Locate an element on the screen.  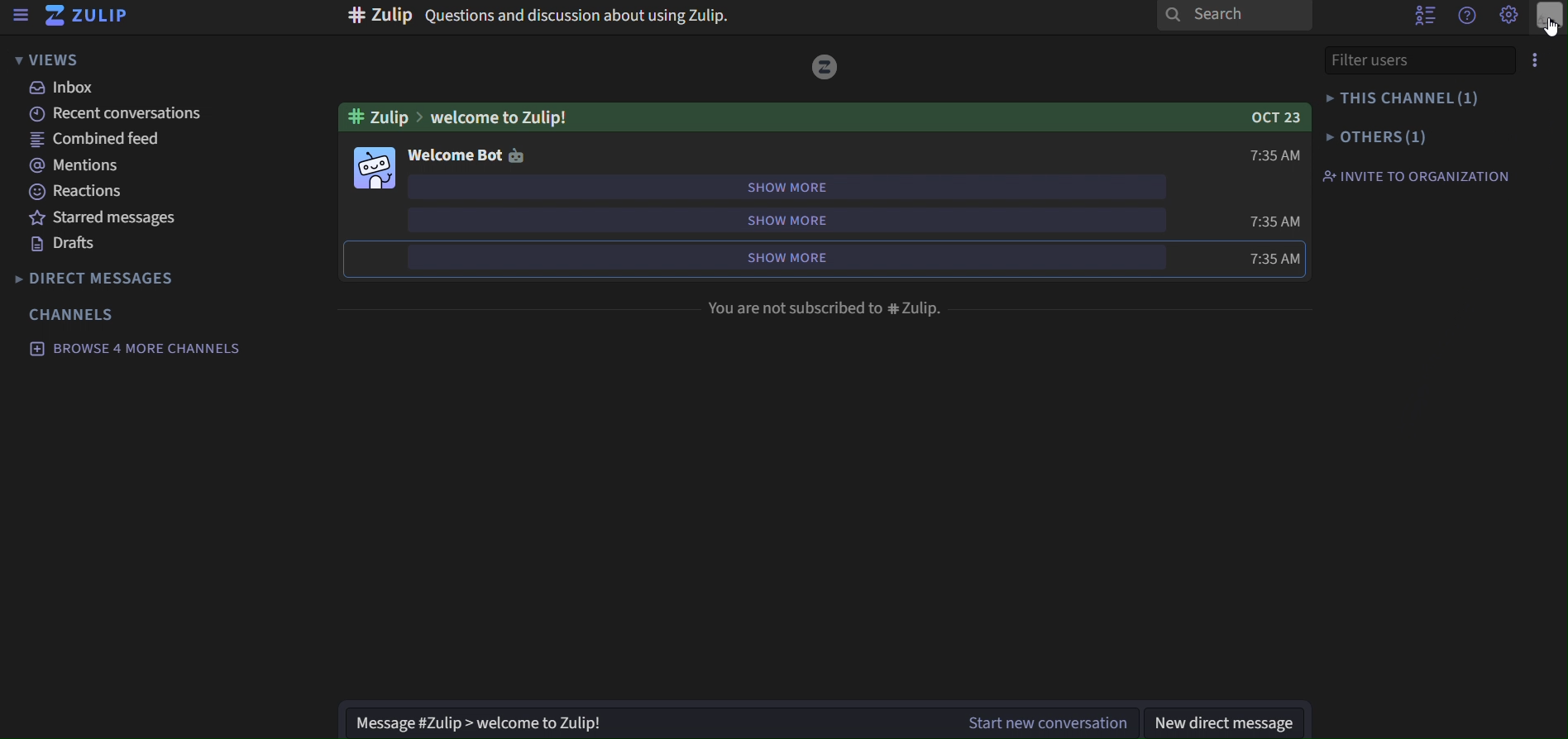
image is located at coordinates (371, 166).